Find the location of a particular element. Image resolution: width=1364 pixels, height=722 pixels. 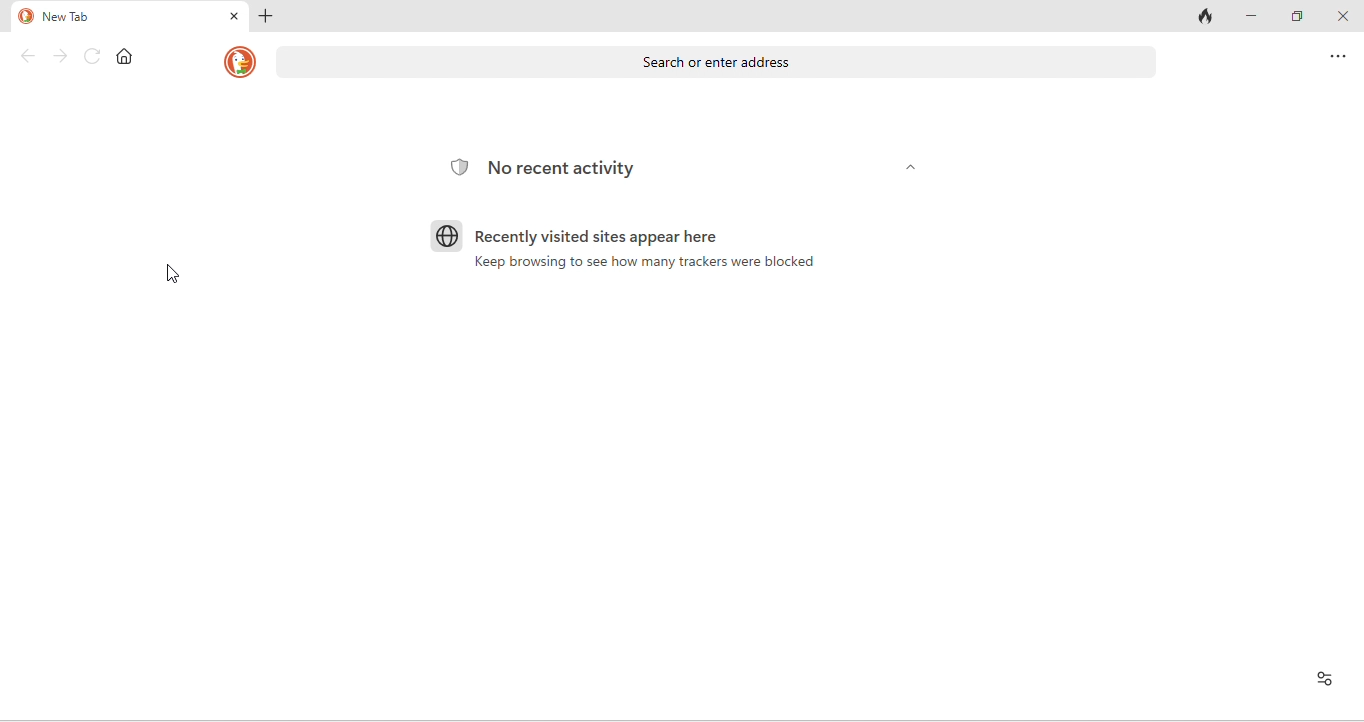

keep browsing to see how many trackers were blocked is located at coordinates (642, 263).